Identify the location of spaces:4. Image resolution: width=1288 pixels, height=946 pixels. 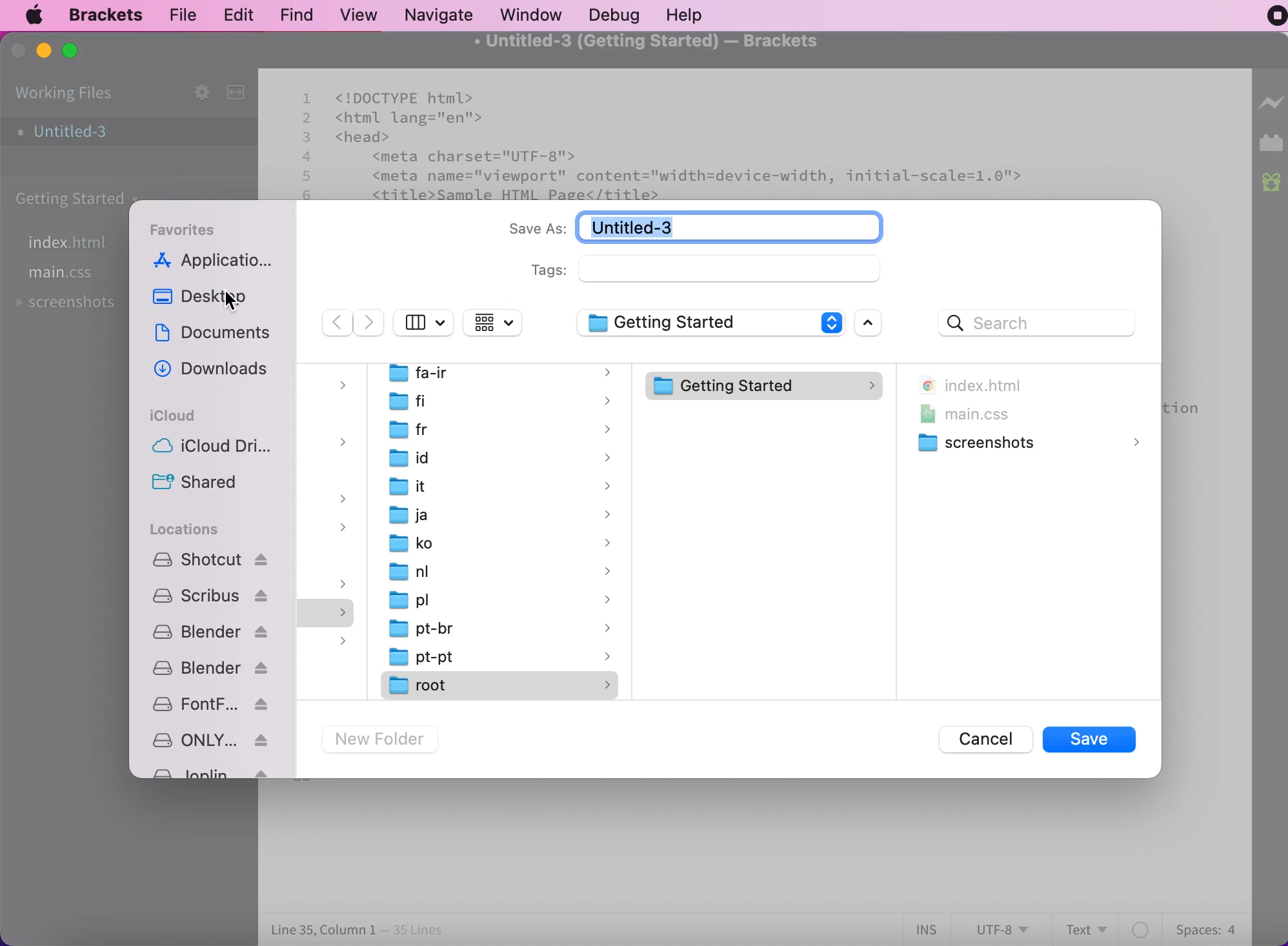
(1204, 927).